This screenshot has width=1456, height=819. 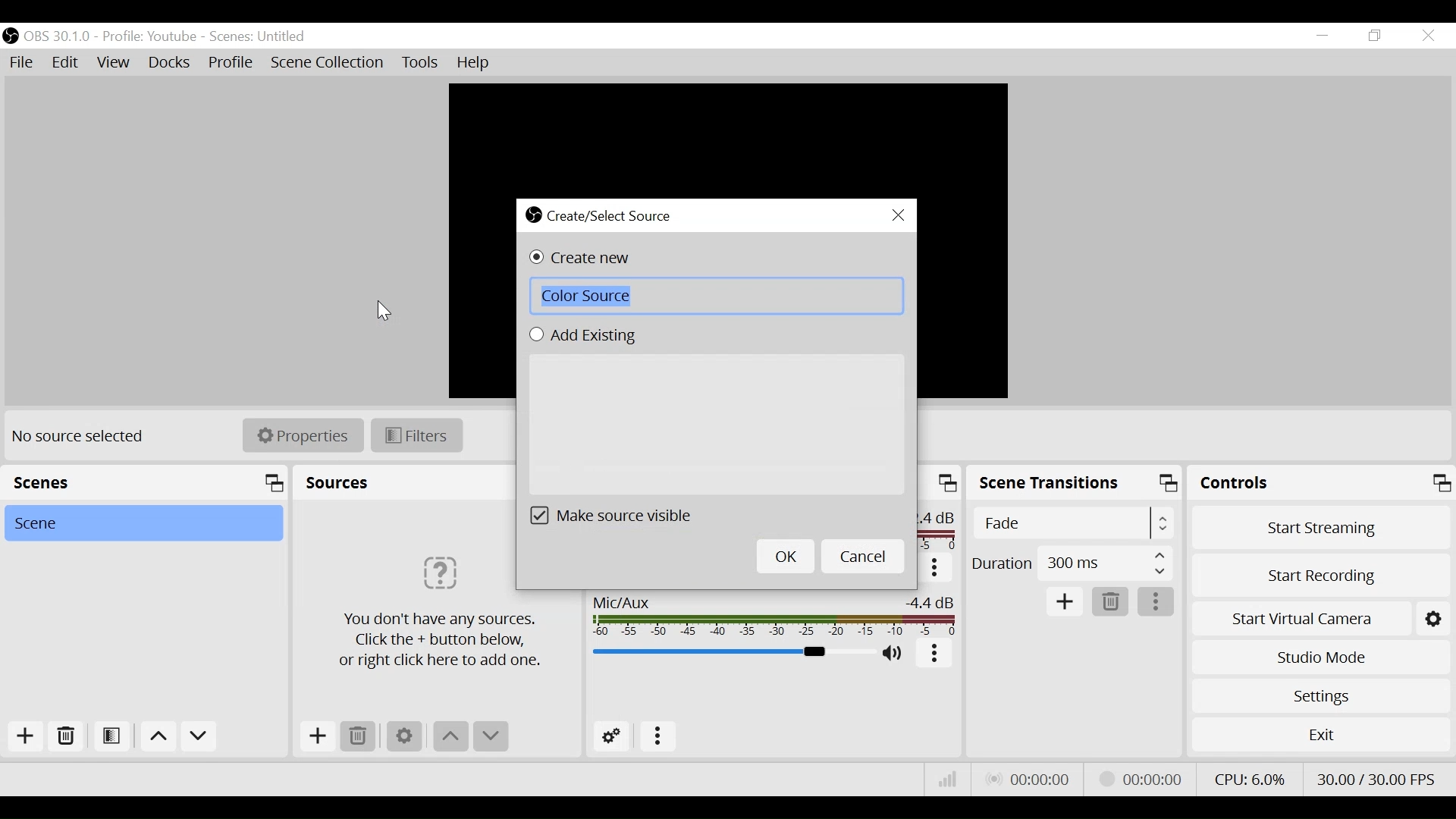 I want to click on Move down, so click(x=491, y=737).